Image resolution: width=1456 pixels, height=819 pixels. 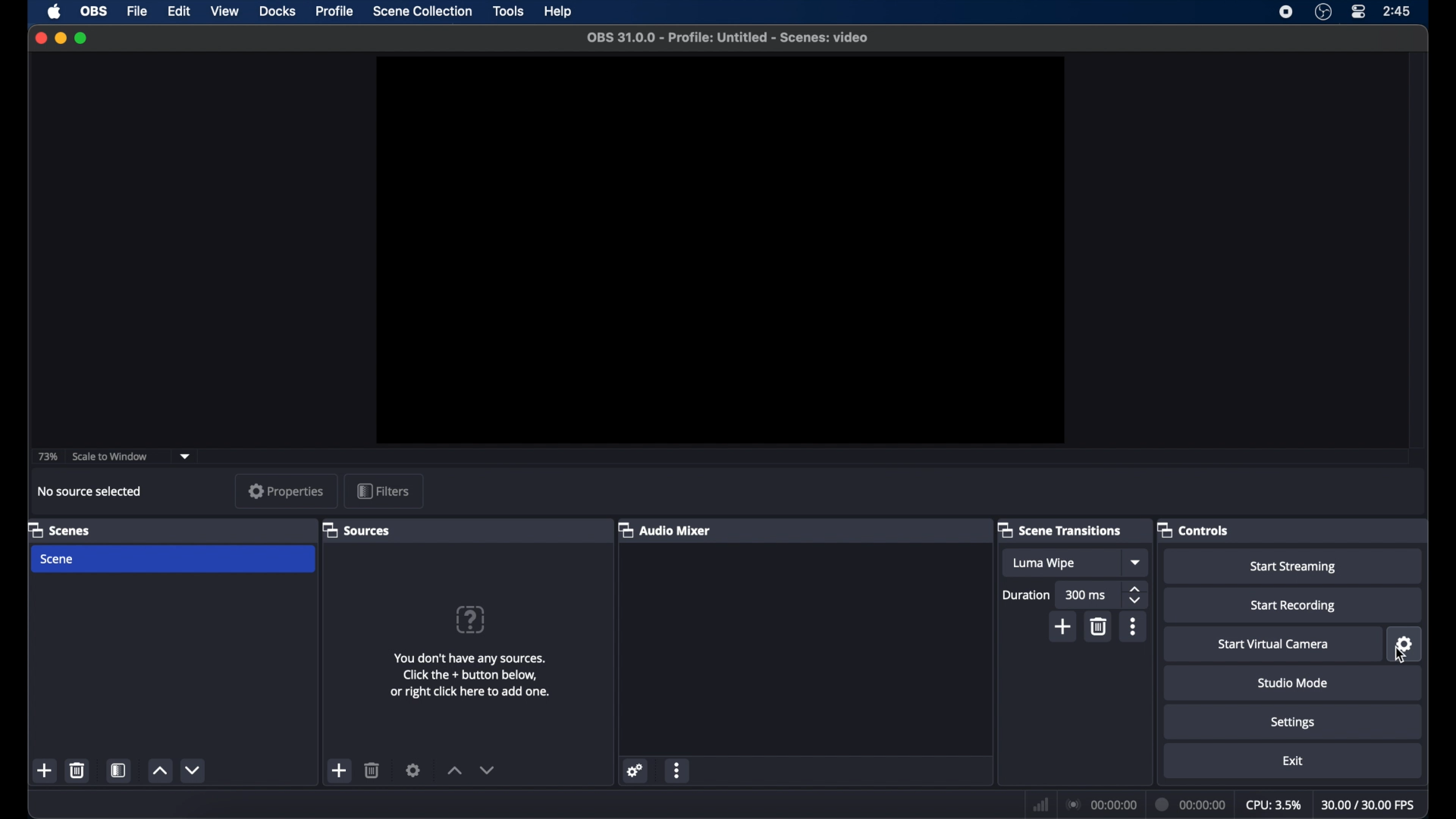 I want to click on help, so click(x=472, y=620).